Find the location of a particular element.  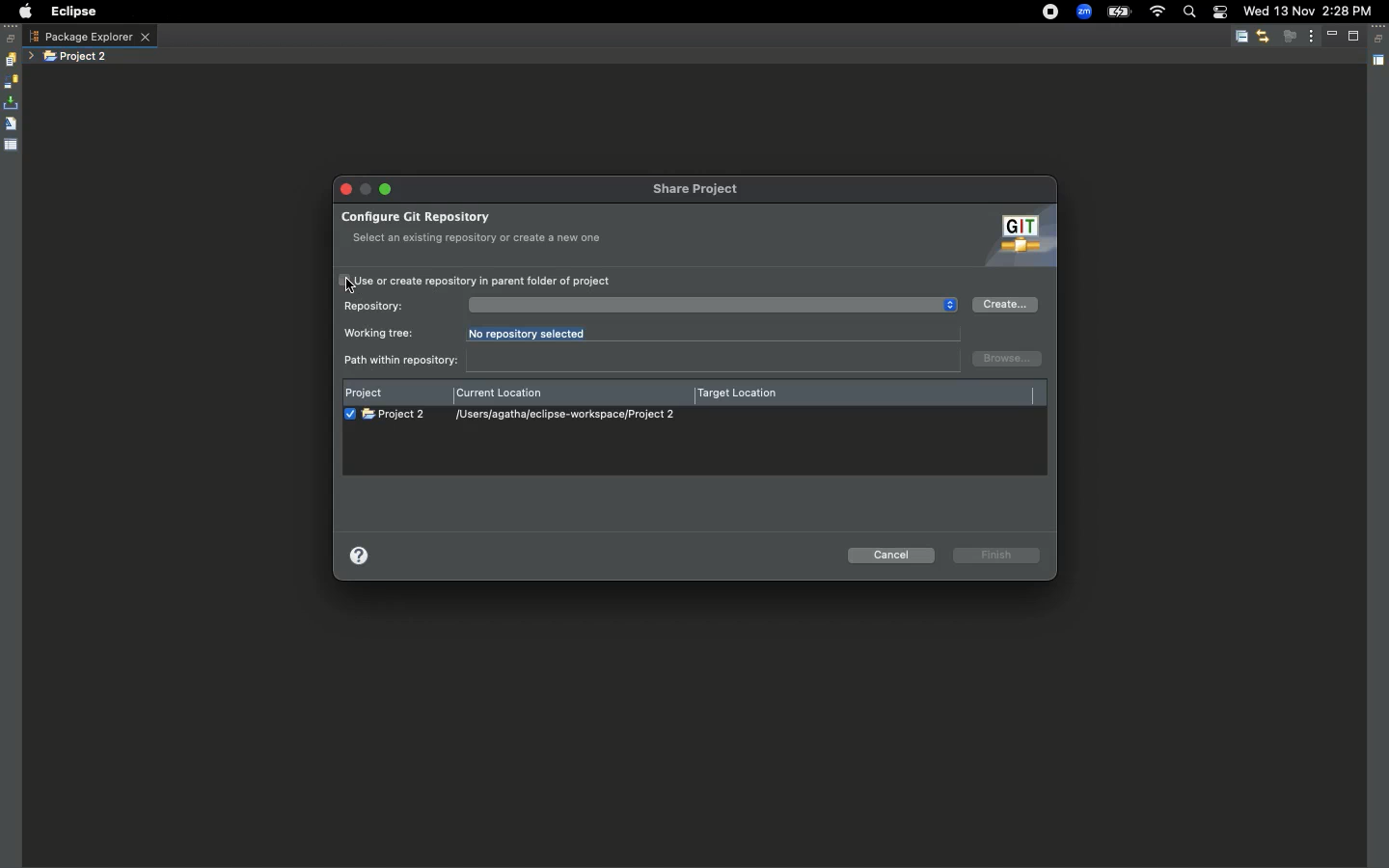

Configure Git repository Select an existing repository or create a new one is located at coordinates (480, 226).